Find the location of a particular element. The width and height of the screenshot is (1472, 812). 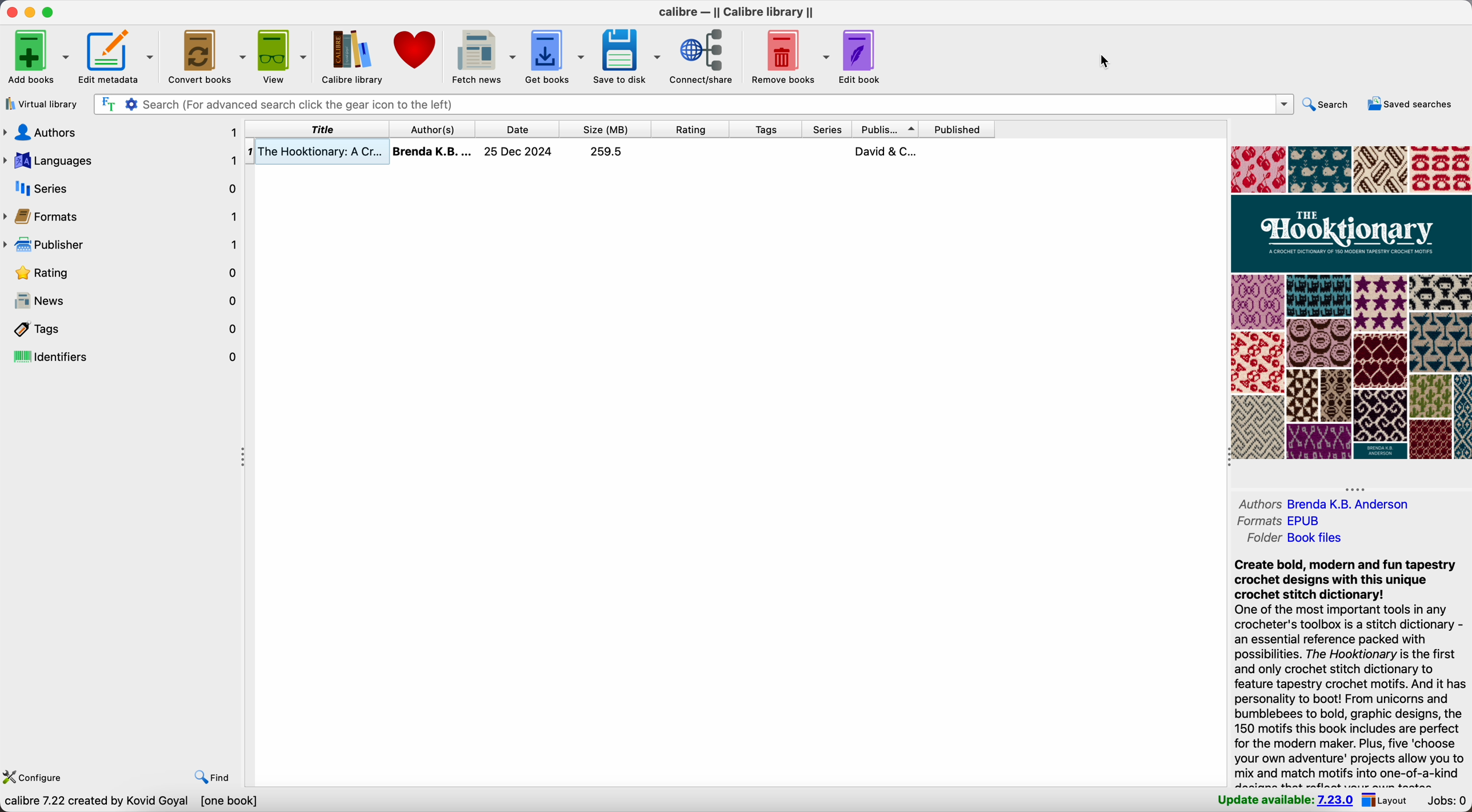

authors is located at coordinates (1327, 503).